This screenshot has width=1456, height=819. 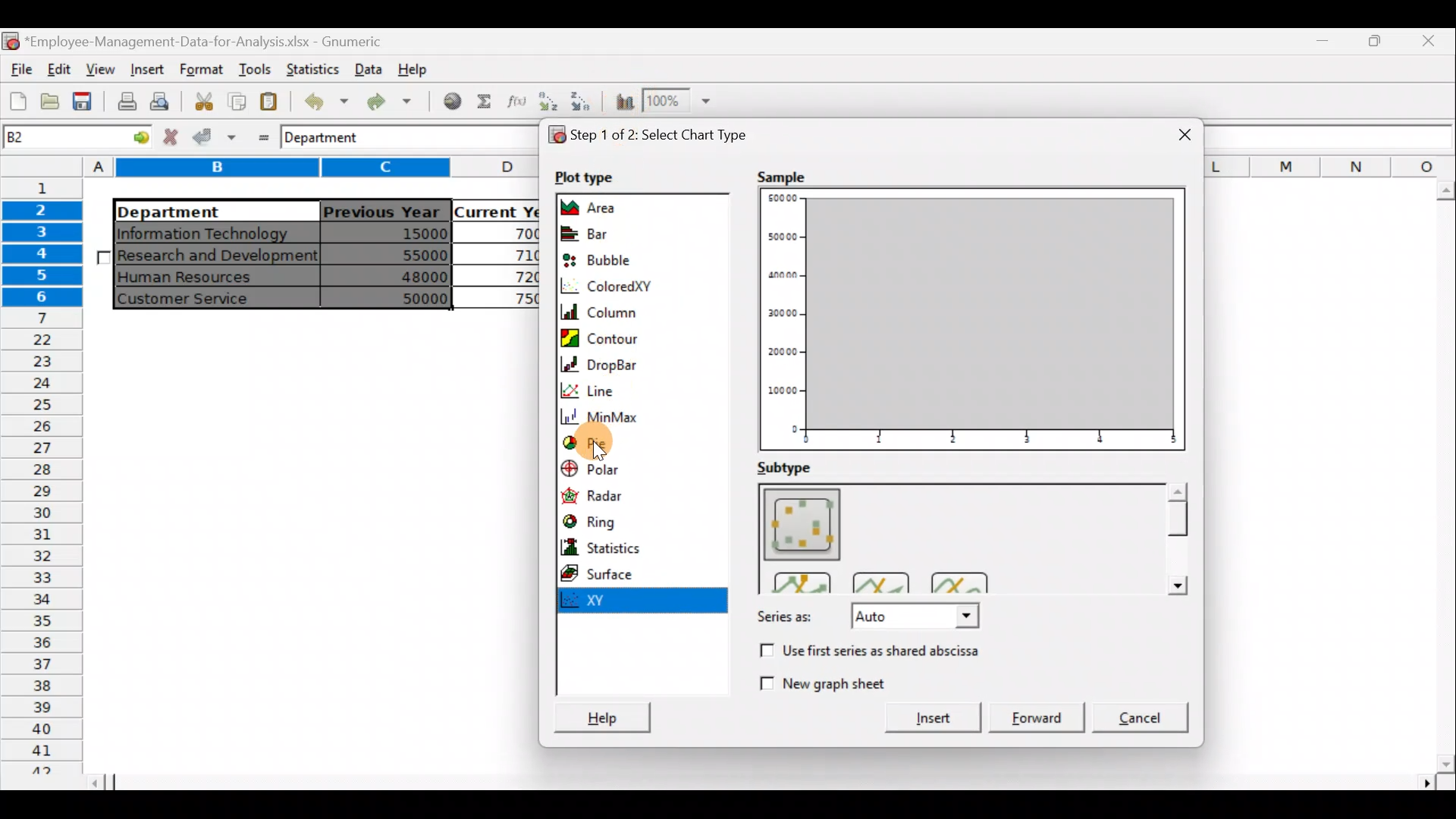 I want to click on 48000, so click(x=399, y=278).